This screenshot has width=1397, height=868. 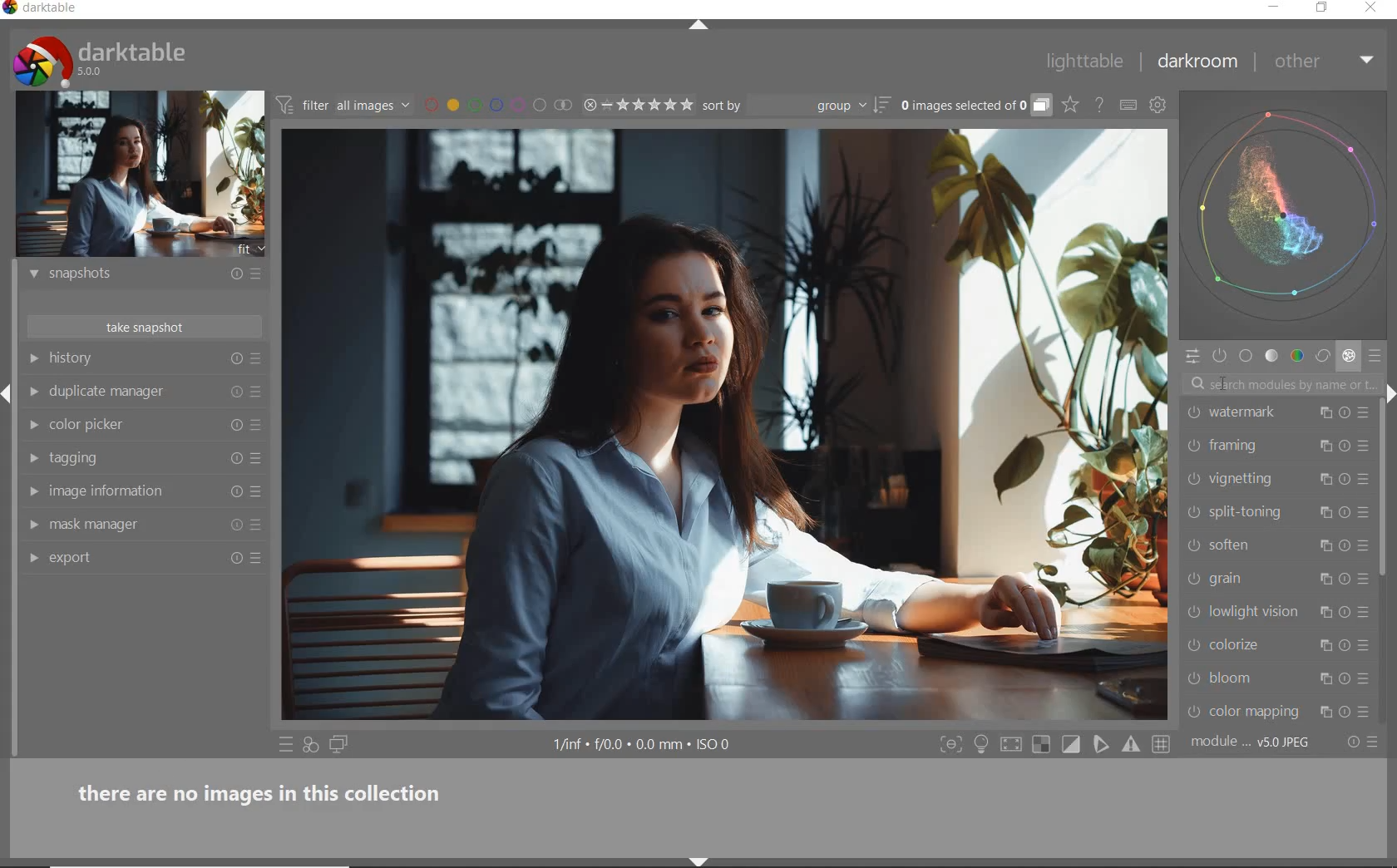 What do you see at coordinates (286, 744) in the screenshot?
I see `quick access to preset` at bounding box center [286, 744].